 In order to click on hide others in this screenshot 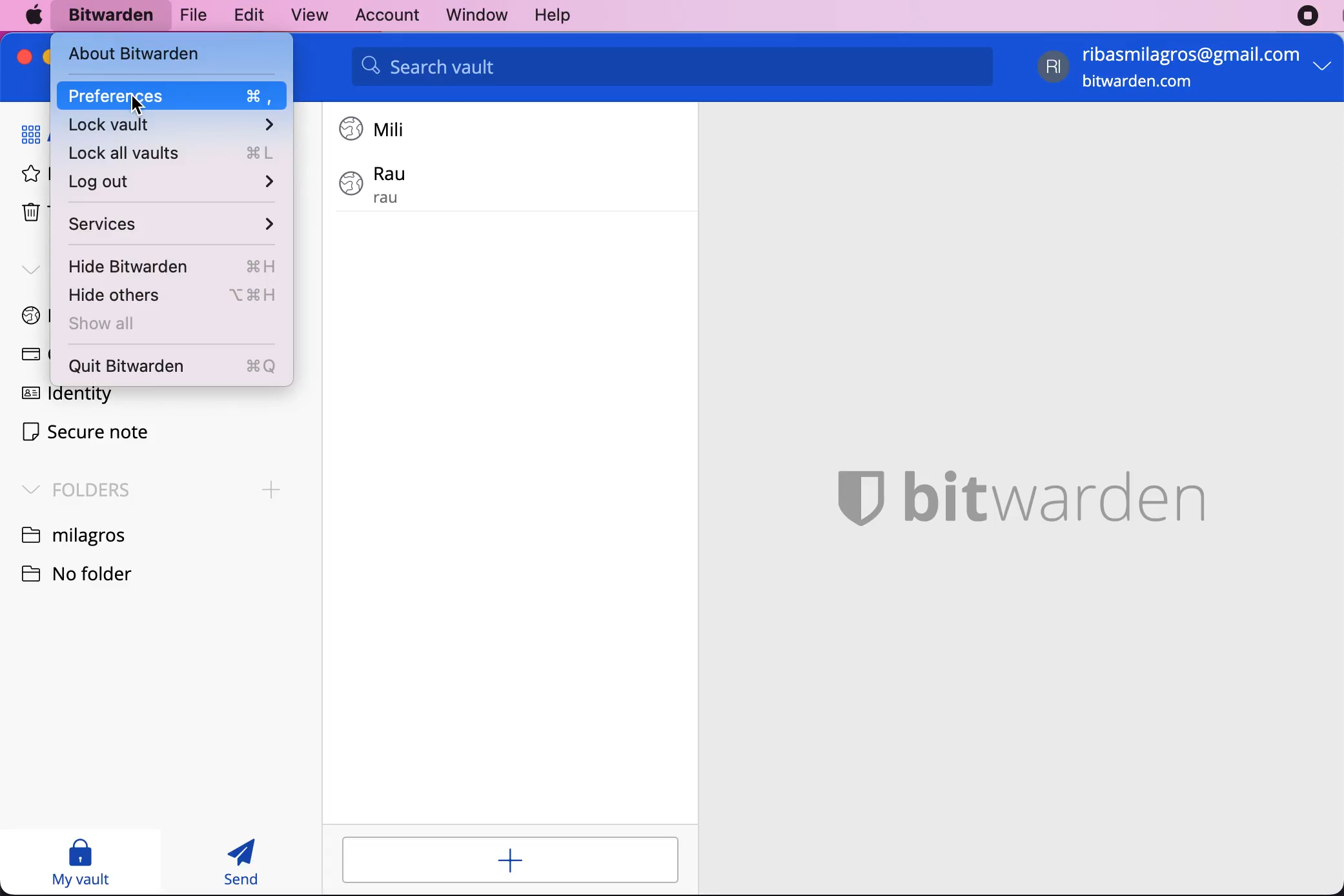, I will do `click(174, 296)`.